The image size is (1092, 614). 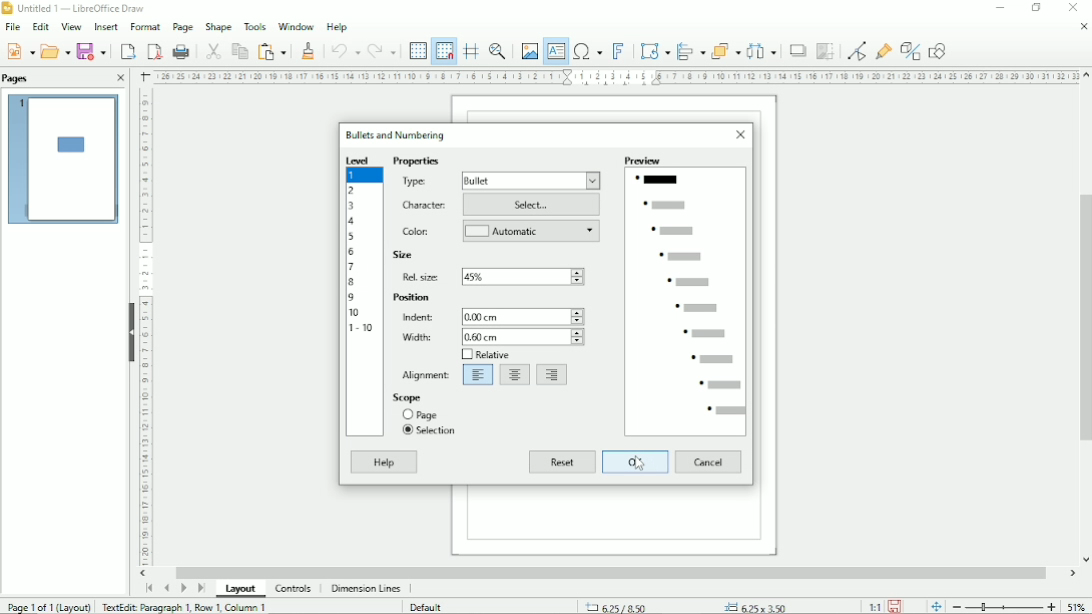 I want to click on Crop image, so click(x=825, y=52).